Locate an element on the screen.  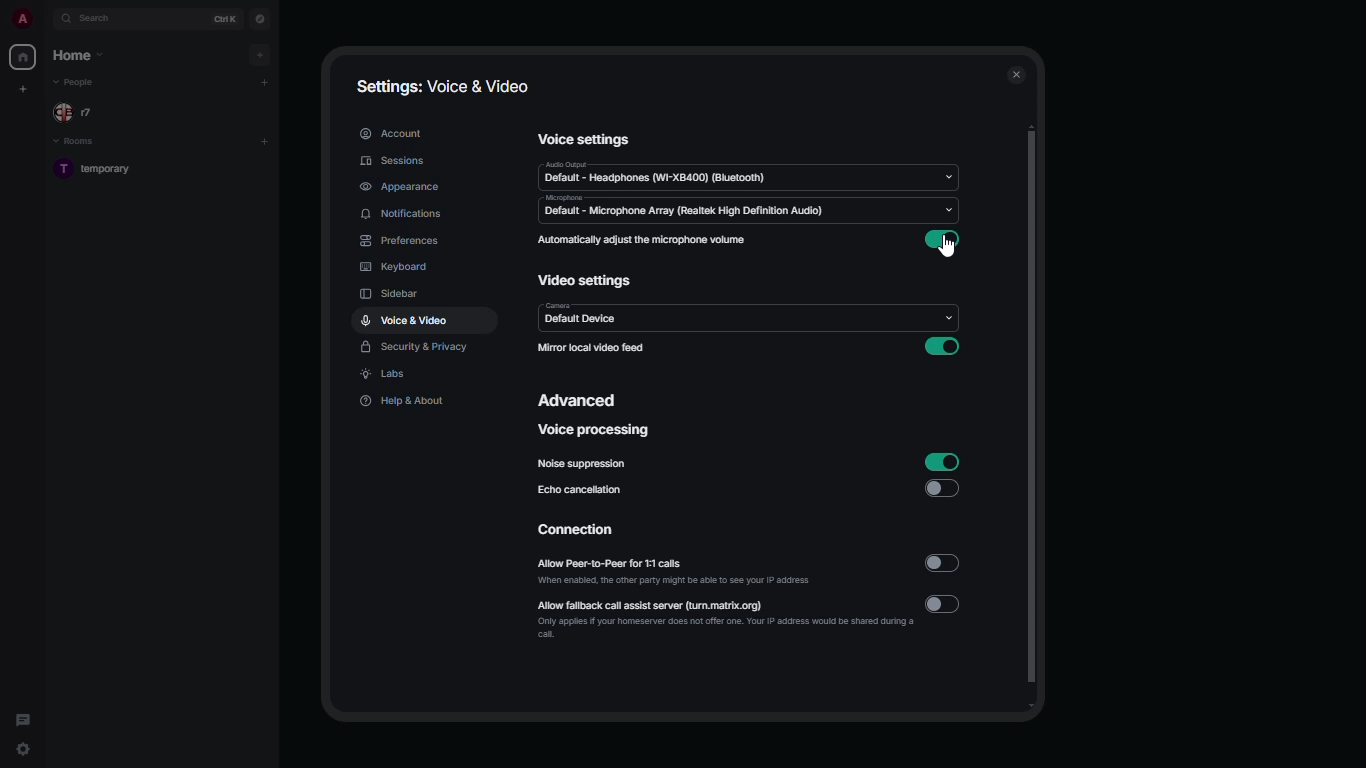
profile is located at coordinates (22, 19).